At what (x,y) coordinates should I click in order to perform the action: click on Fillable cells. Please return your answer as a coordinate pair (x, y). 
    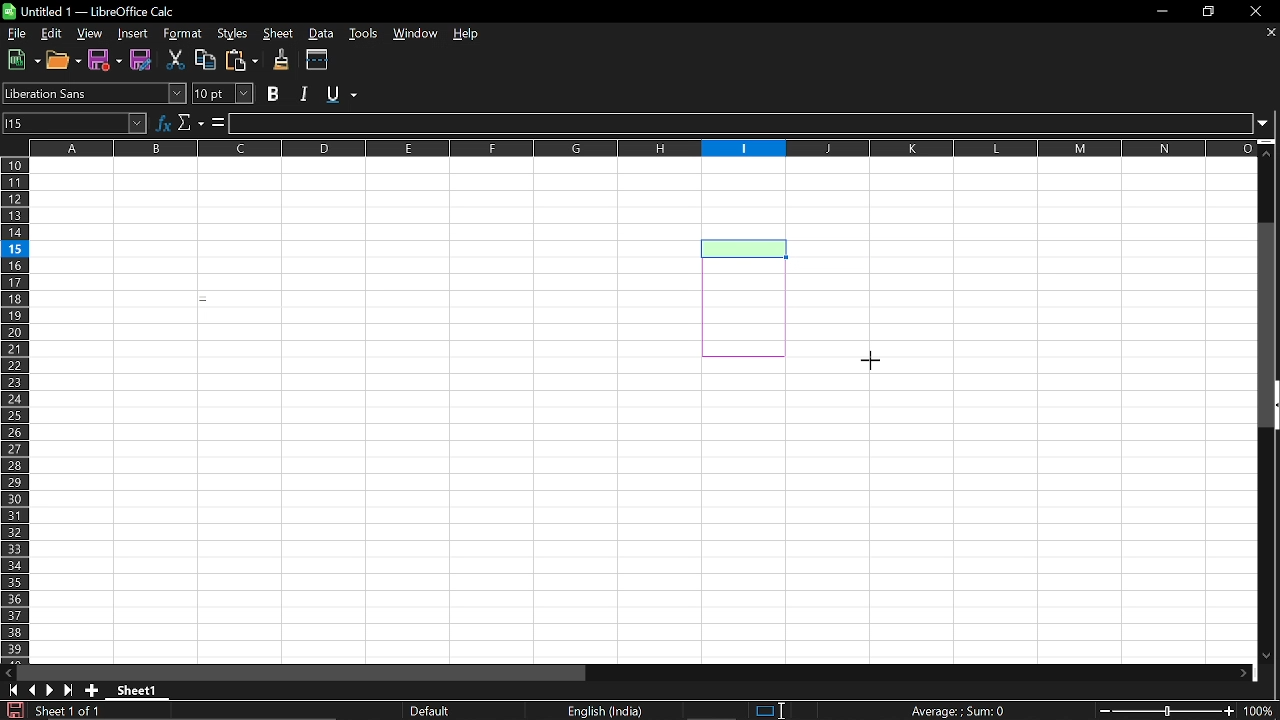
    Looking at the image, I should click on (1021, 259).